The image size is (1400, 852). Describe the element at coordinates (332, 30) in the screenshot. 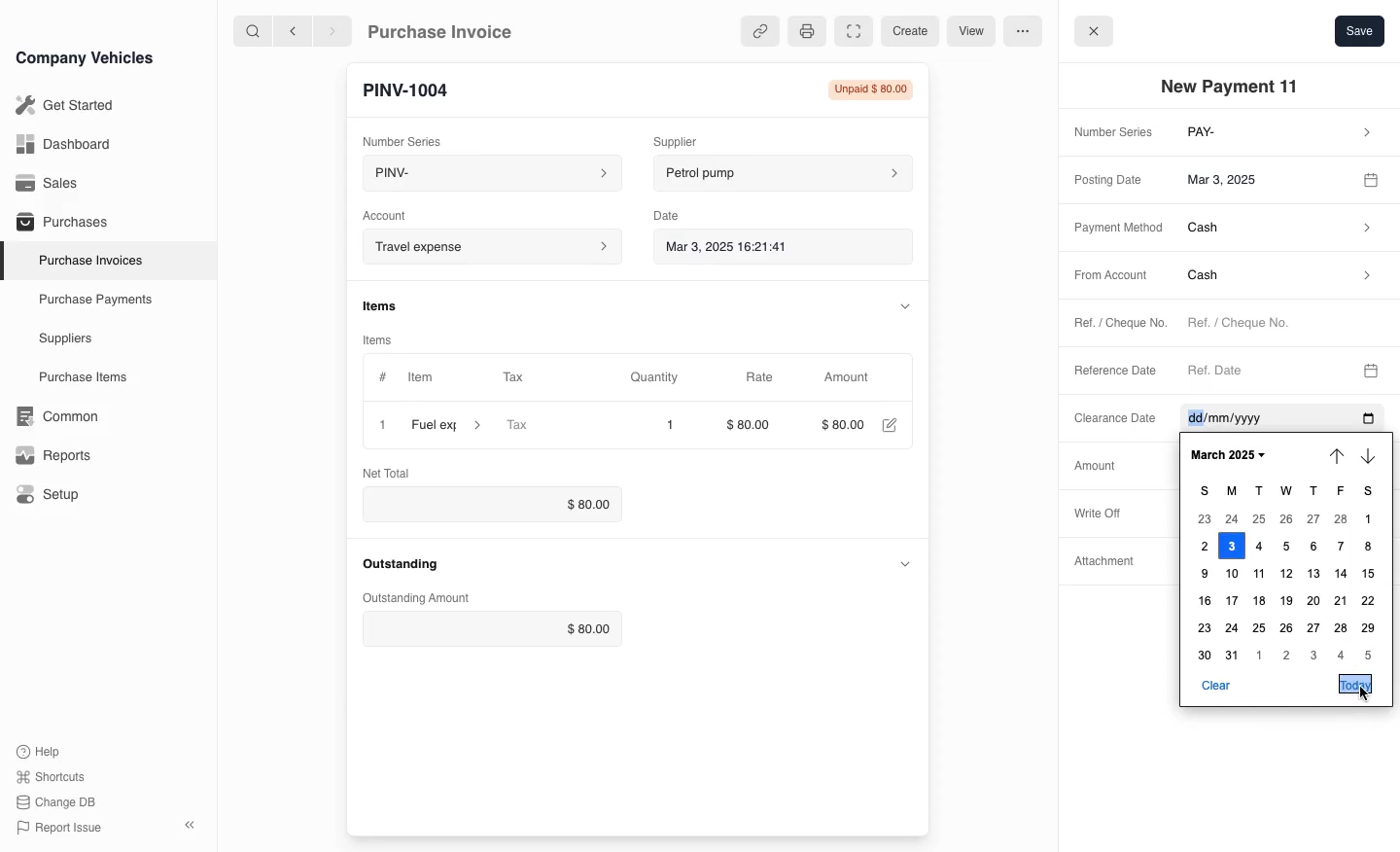

I see `next` at that location.